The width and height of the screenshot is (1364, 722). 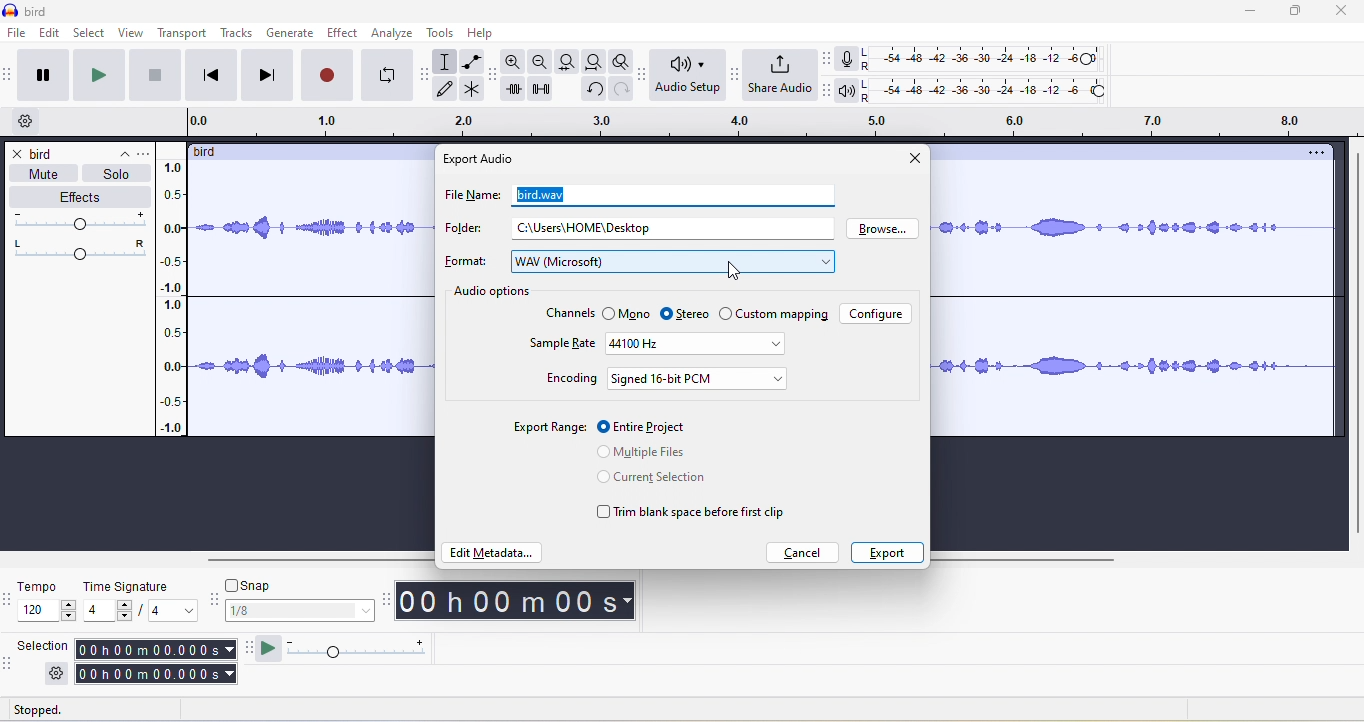 I want to click on export range, so click(x=547, y=426).